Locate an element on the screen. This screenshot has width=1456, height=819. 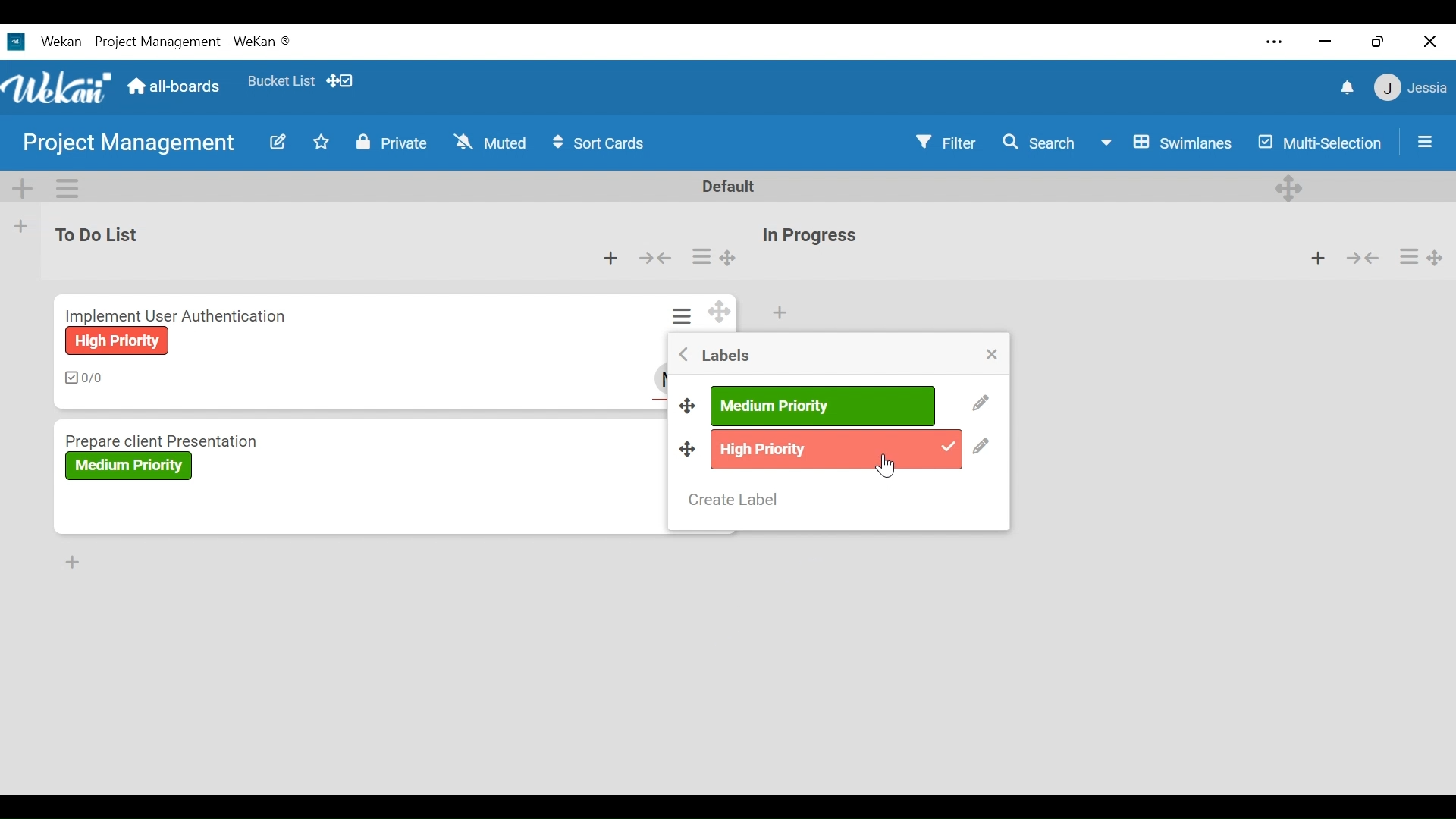
Card Title is located at coordinates (180, 313).